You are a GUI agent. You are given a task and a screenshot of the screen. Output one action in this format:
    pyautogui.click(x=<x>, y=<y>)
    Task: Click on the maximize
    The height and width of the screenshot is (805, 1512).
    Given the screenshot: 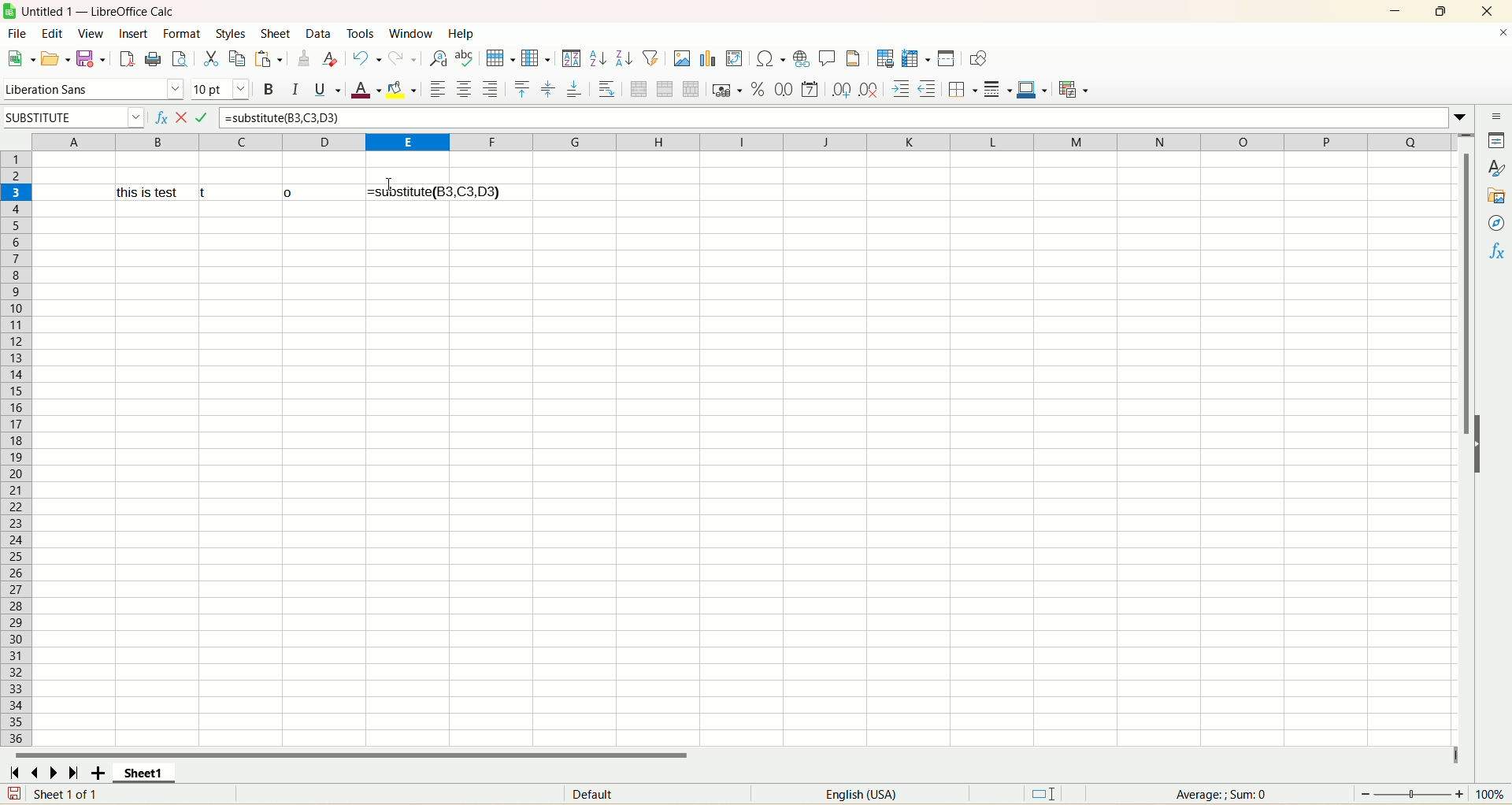 What is the action you would take?
    pyautogui.click(x=1439, y=11)
    